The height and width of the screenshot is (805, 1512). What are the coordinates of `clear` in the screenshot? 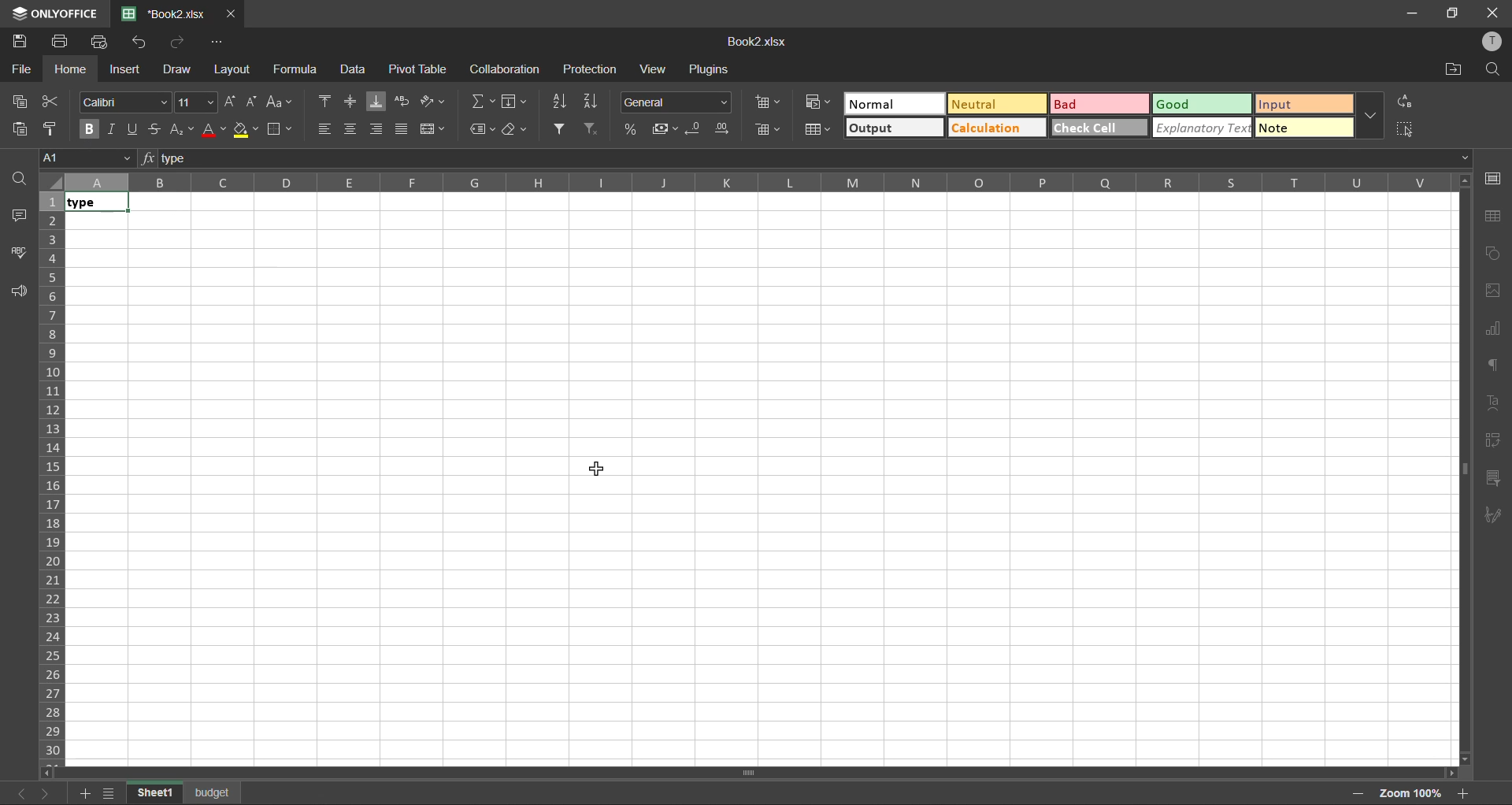 It's located at (515, 130).